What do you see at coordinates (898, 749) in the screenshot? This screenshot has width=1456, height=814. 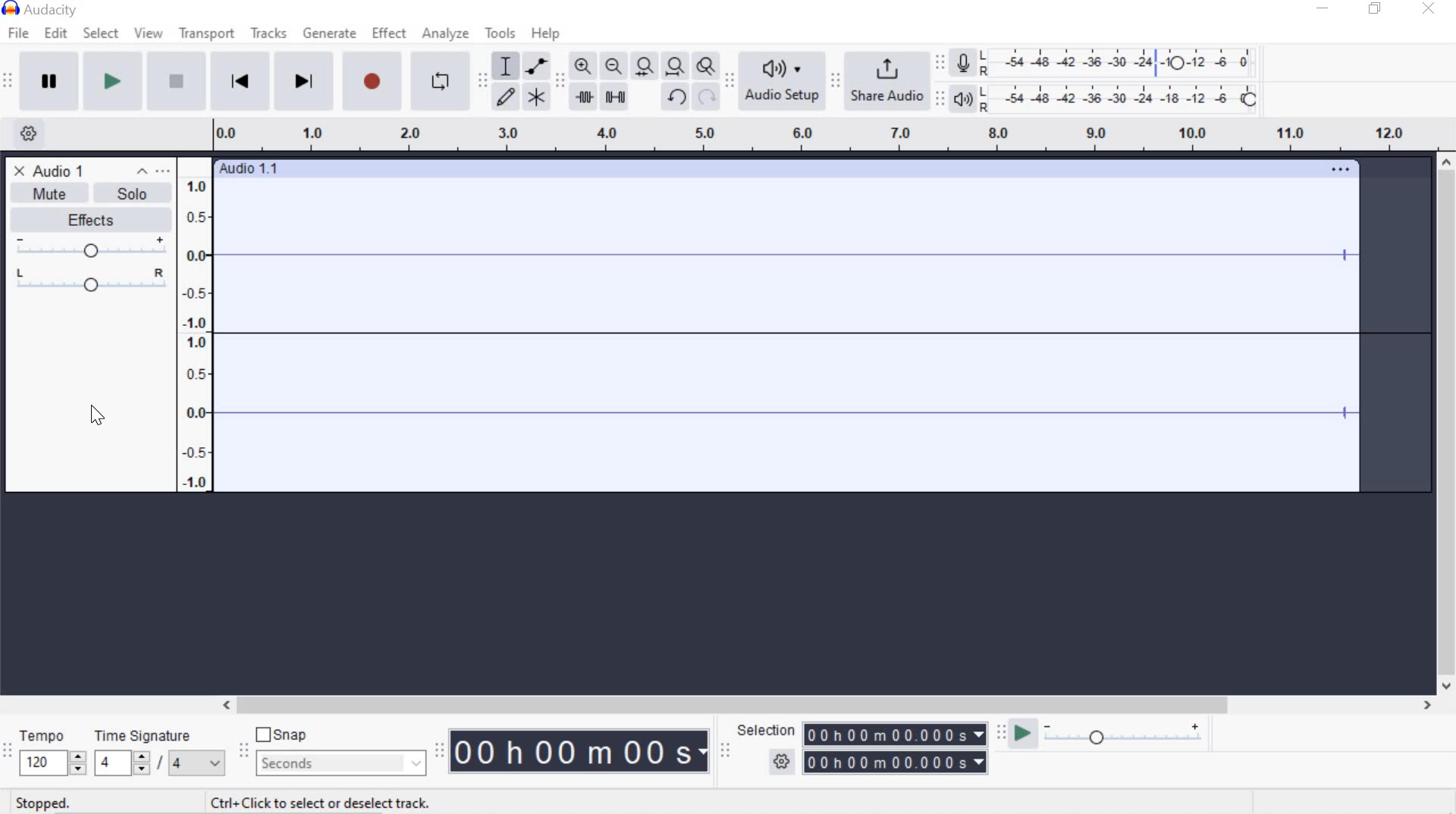 I see `Selection time` at bounding box center [898, 749].